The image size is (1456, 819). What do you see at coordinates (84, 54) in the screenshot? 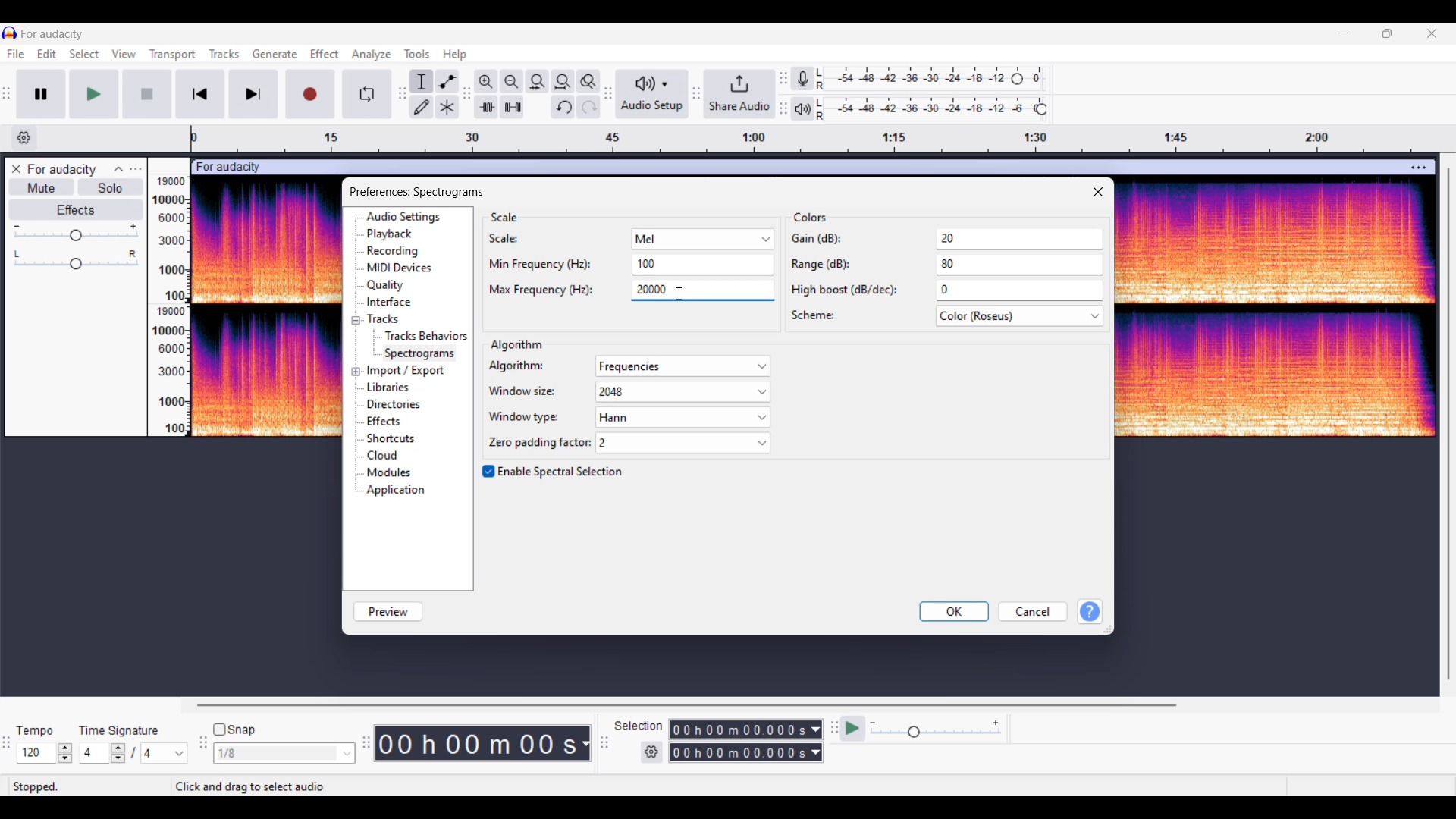
I see `Select menu` at bounding box center [84, 54].